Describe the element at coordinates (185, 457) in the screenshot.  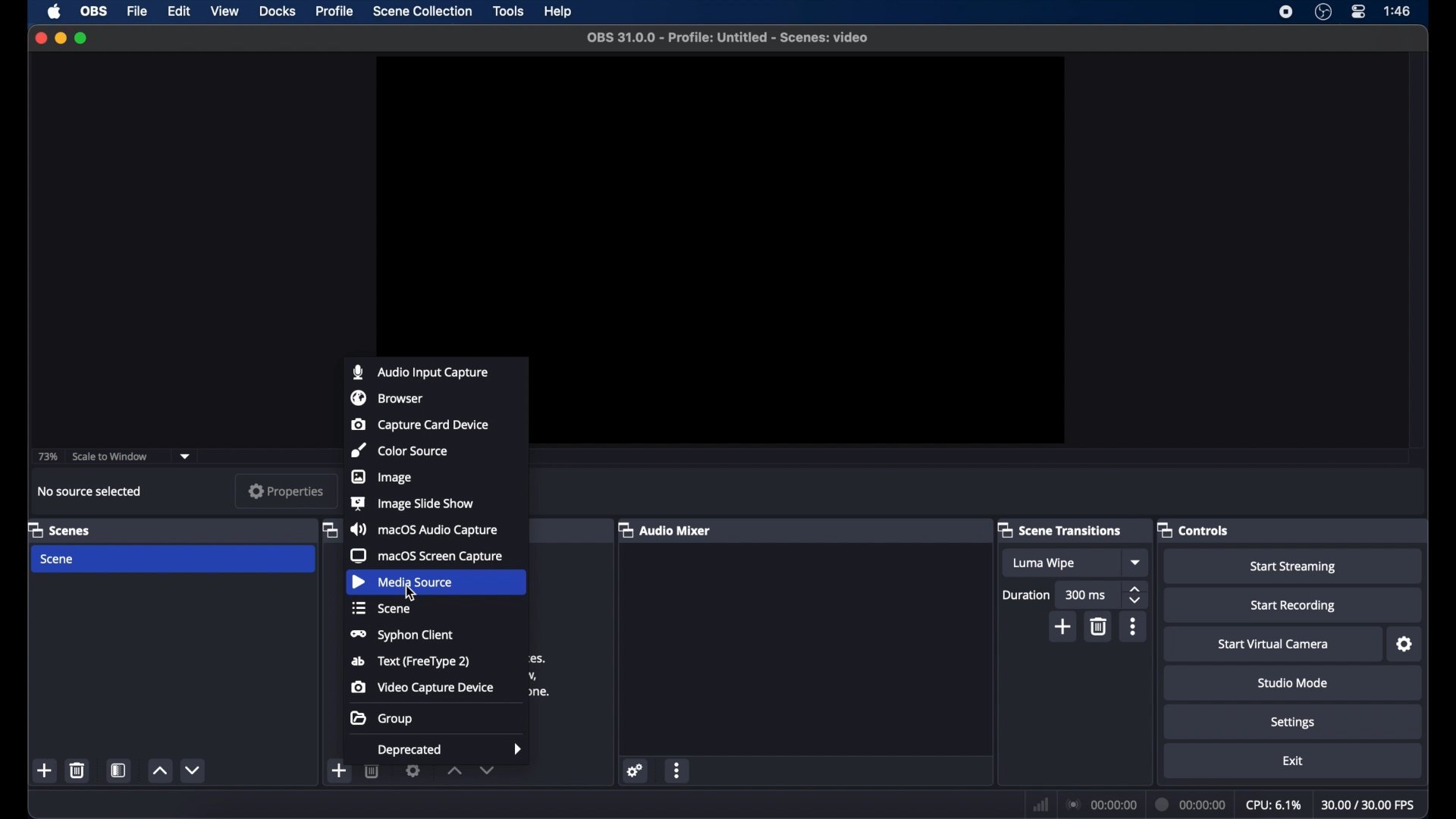
I see `dropdown` at that location.